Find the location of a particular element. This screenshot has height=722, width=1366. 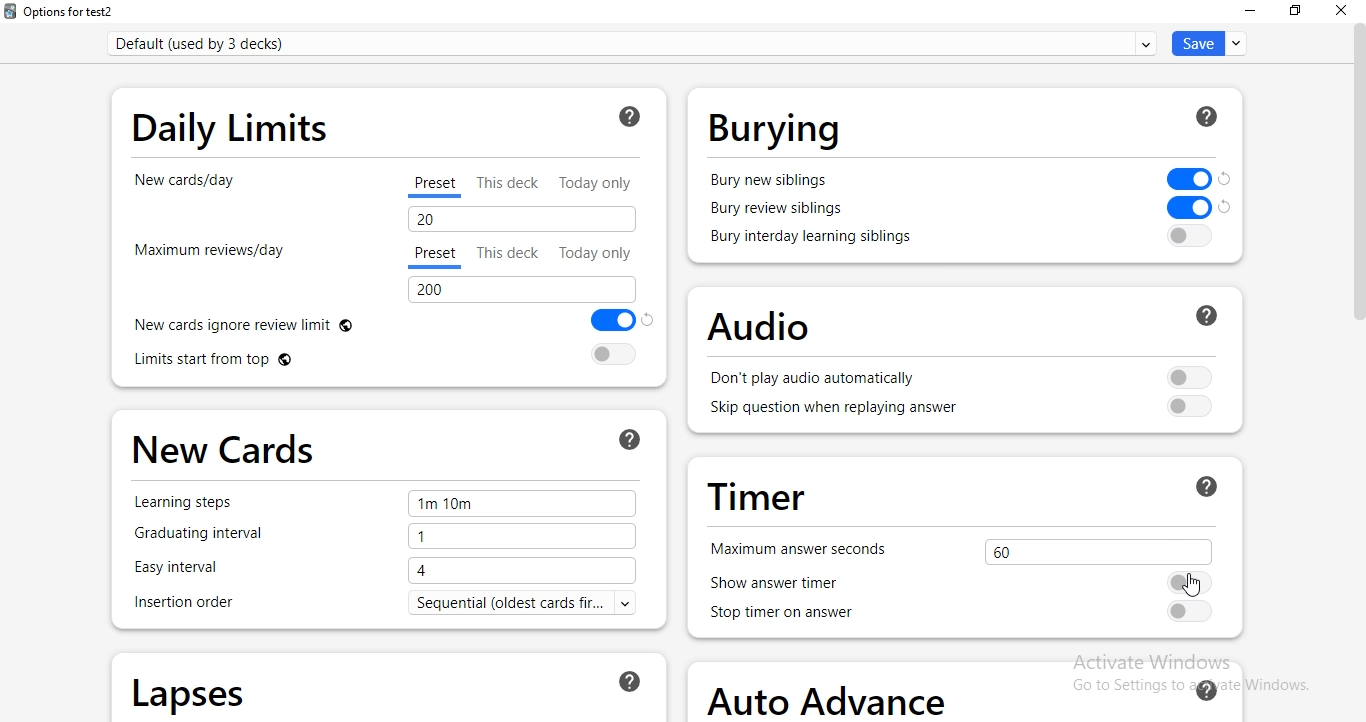

show answer time is located at coordinates (962, 586).